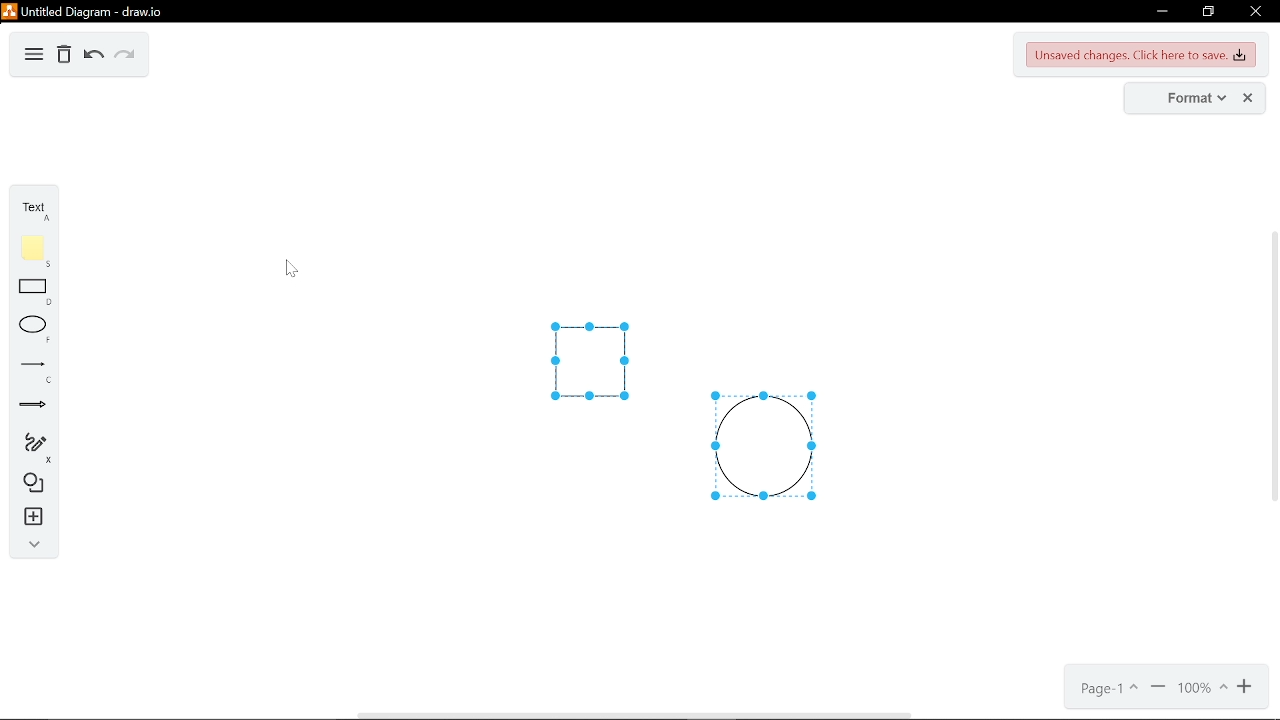  I want to click on rectangle, so click(32, 294).